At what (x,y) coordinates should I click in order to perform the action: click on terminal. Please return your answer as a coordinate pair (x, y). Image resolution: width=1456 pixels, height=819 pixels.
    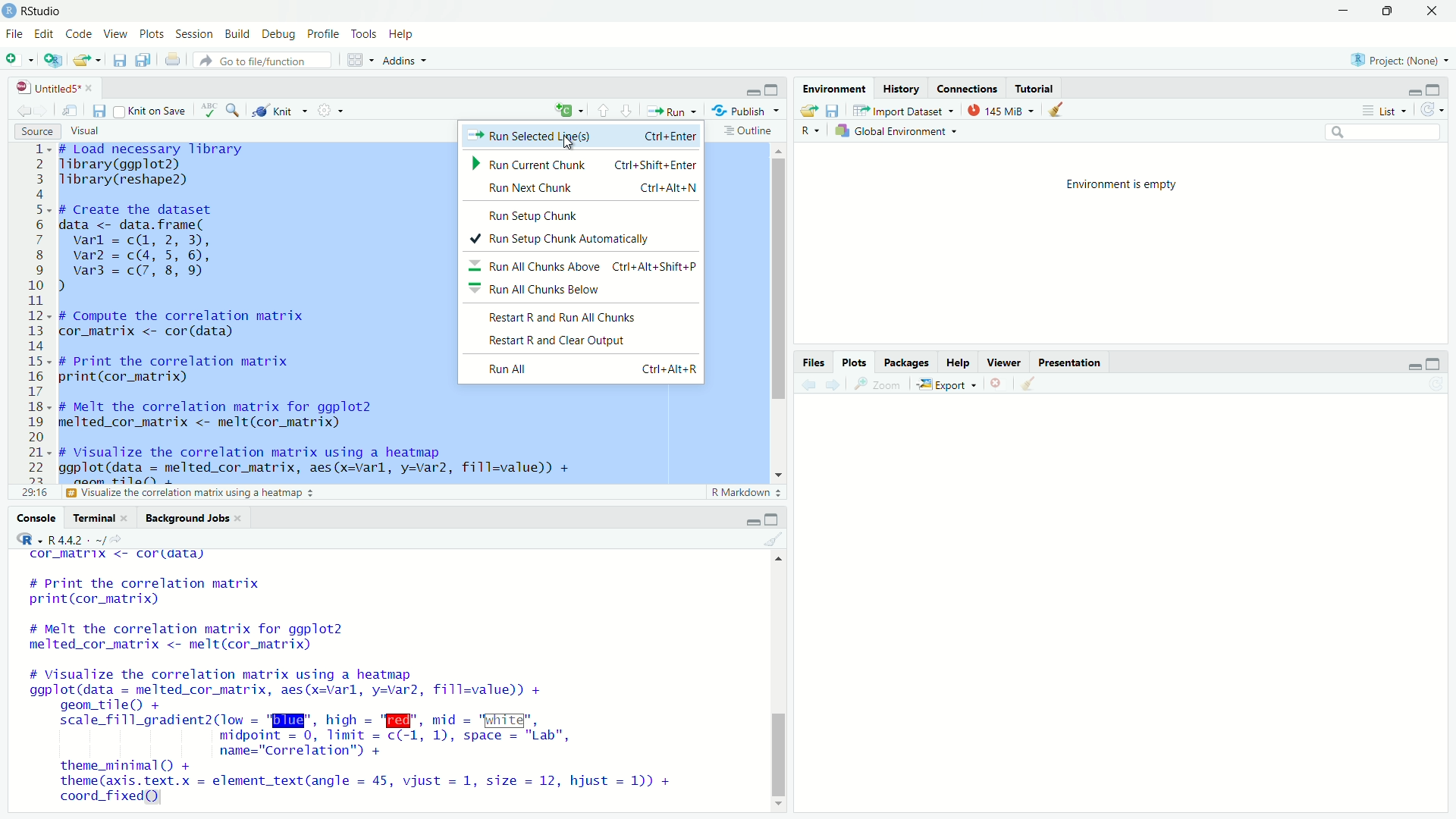
    Looking at the image, I should click on (102, 518).